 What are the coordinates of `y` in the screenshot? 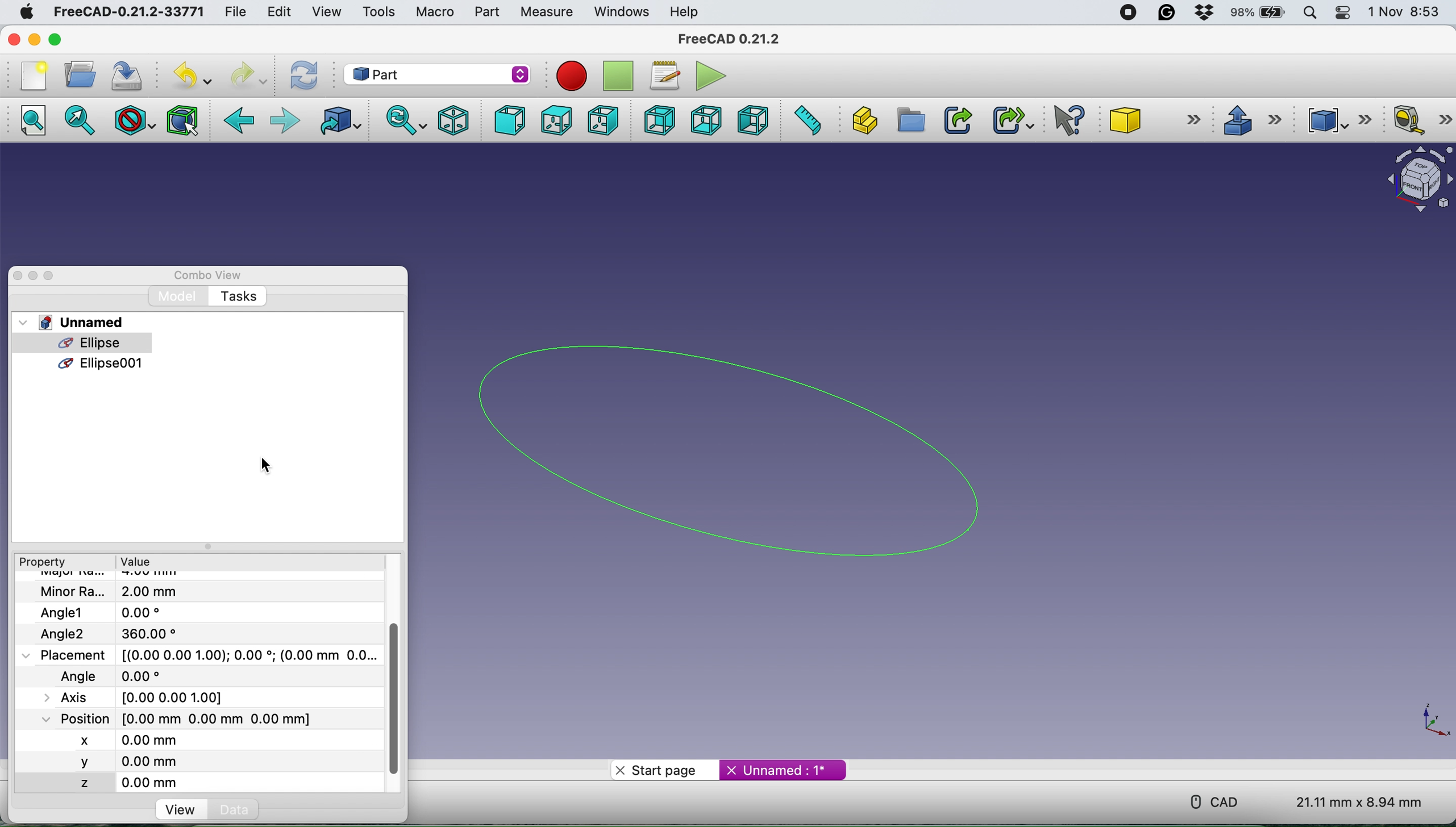 It's located at (110, 762).